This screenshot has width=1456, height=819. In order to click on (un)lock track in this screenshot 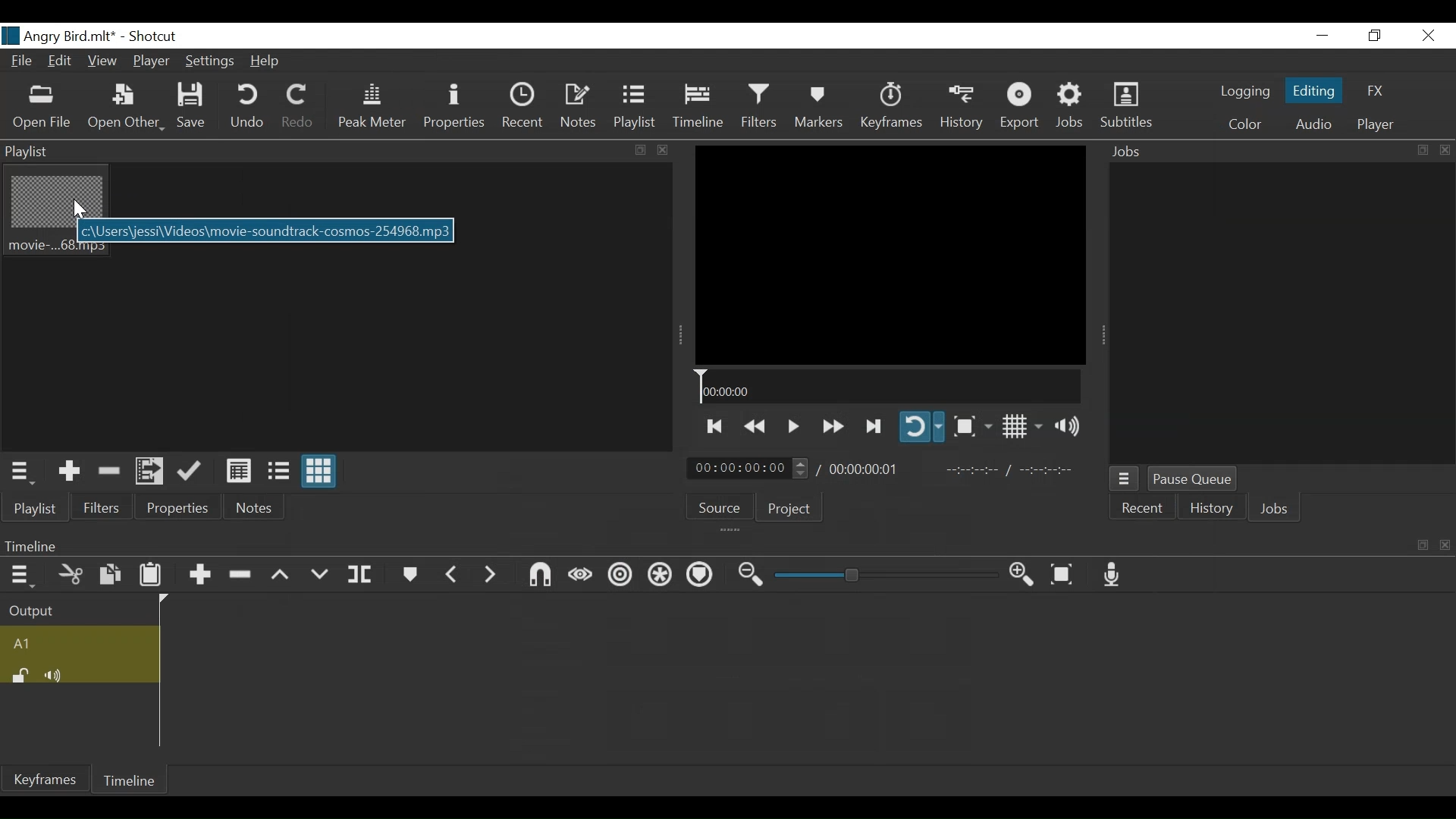, I will do `click(20, 673)`.